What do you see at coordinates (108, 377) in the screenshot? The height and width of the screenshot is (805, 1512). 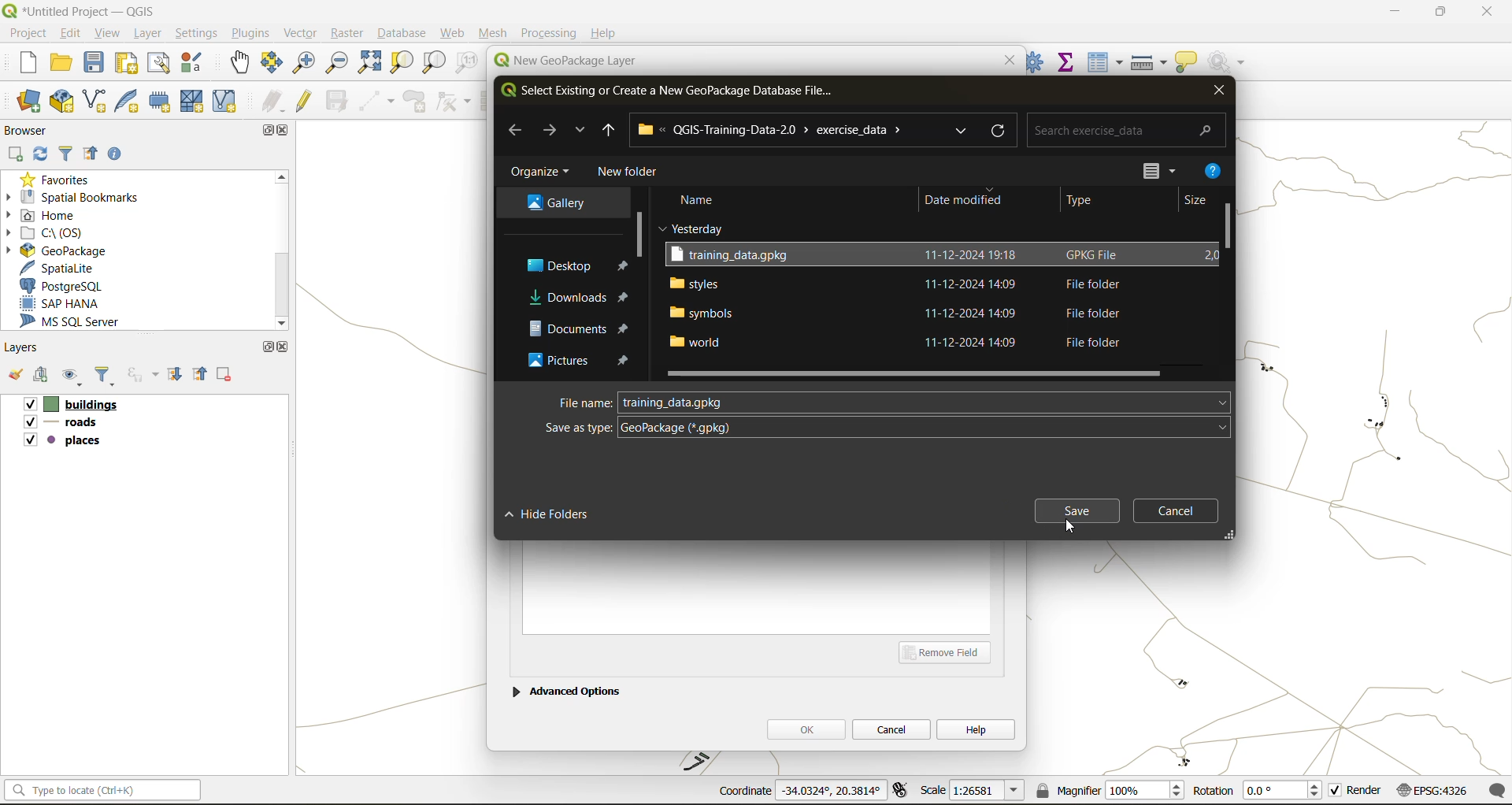 I see `filter` at bounding box center [108, 377].